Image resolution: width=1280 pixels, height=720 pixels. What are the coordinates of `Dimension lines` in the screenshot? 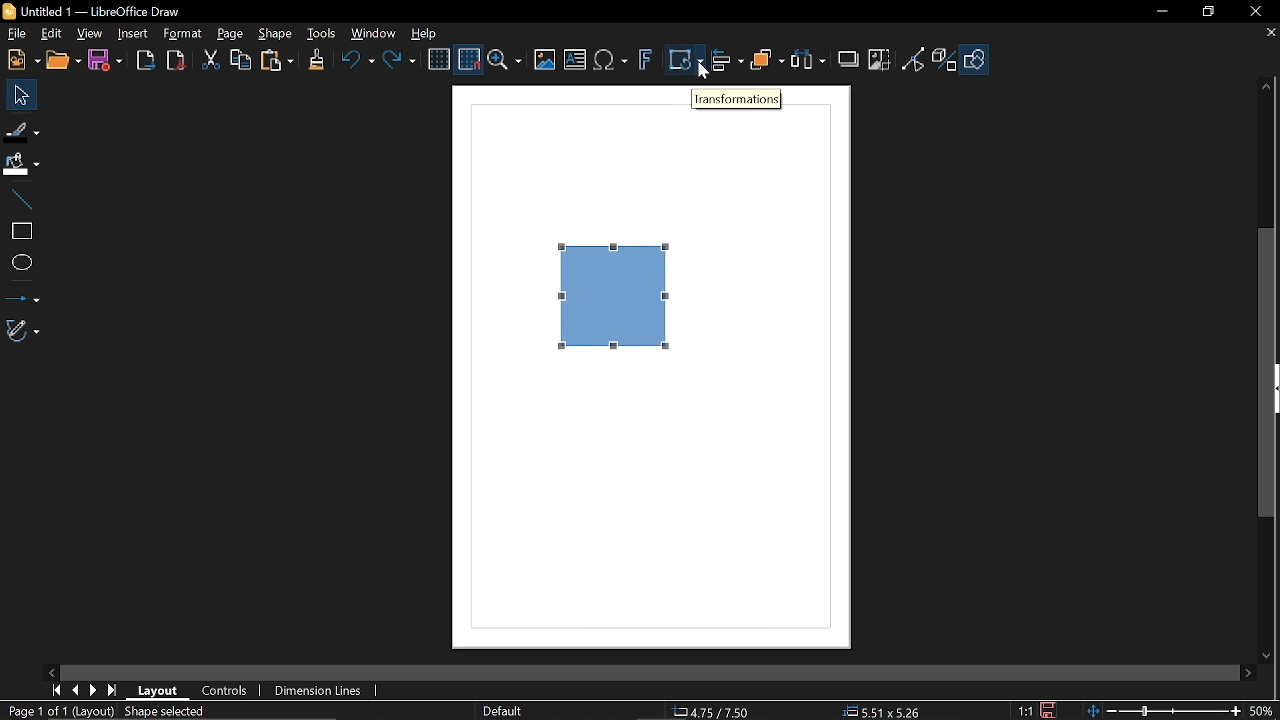 It's located at (314, 690).